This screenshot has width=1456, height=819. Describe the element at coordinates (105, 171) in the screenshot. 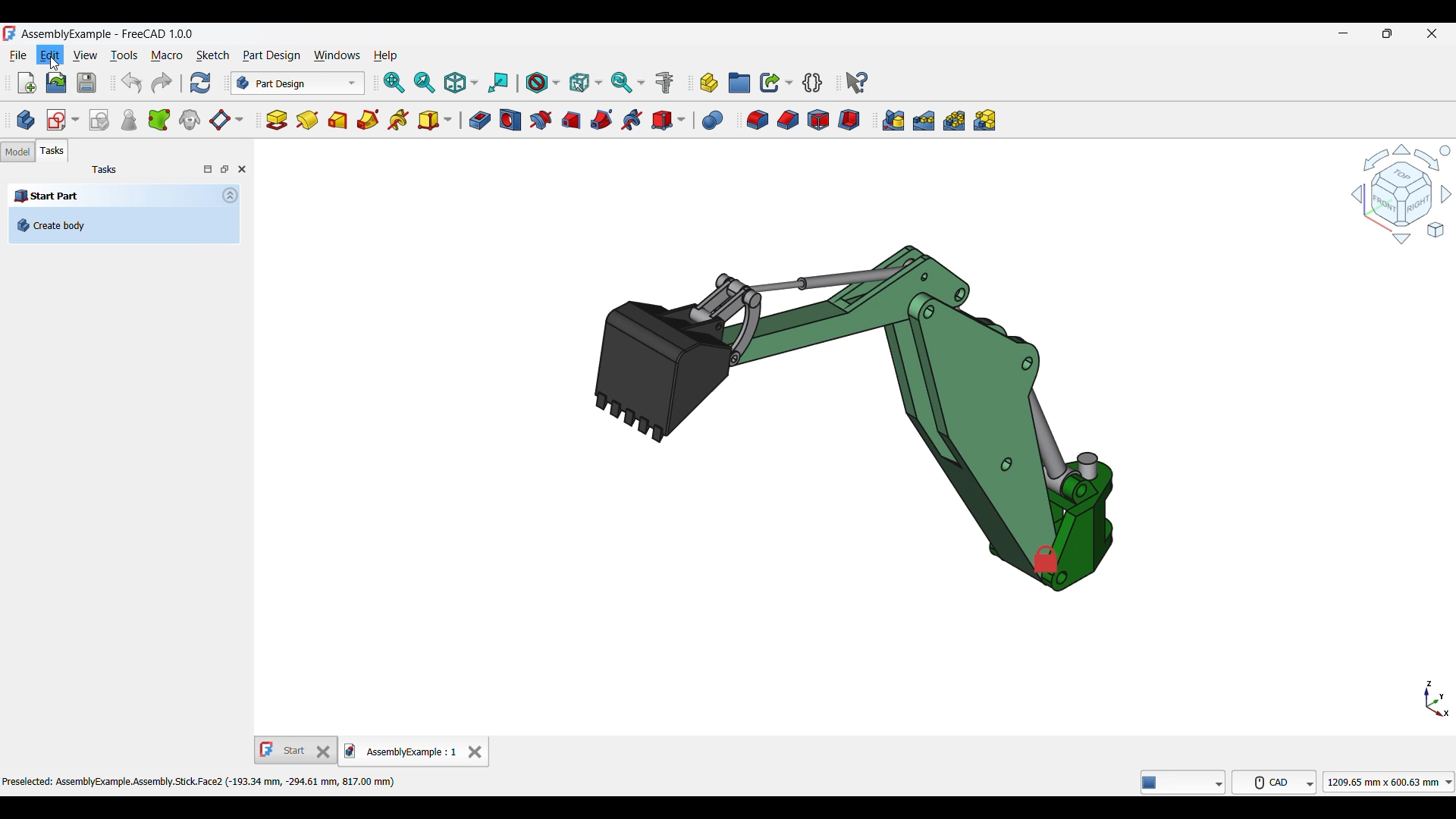

I see `Tasks` at that location.